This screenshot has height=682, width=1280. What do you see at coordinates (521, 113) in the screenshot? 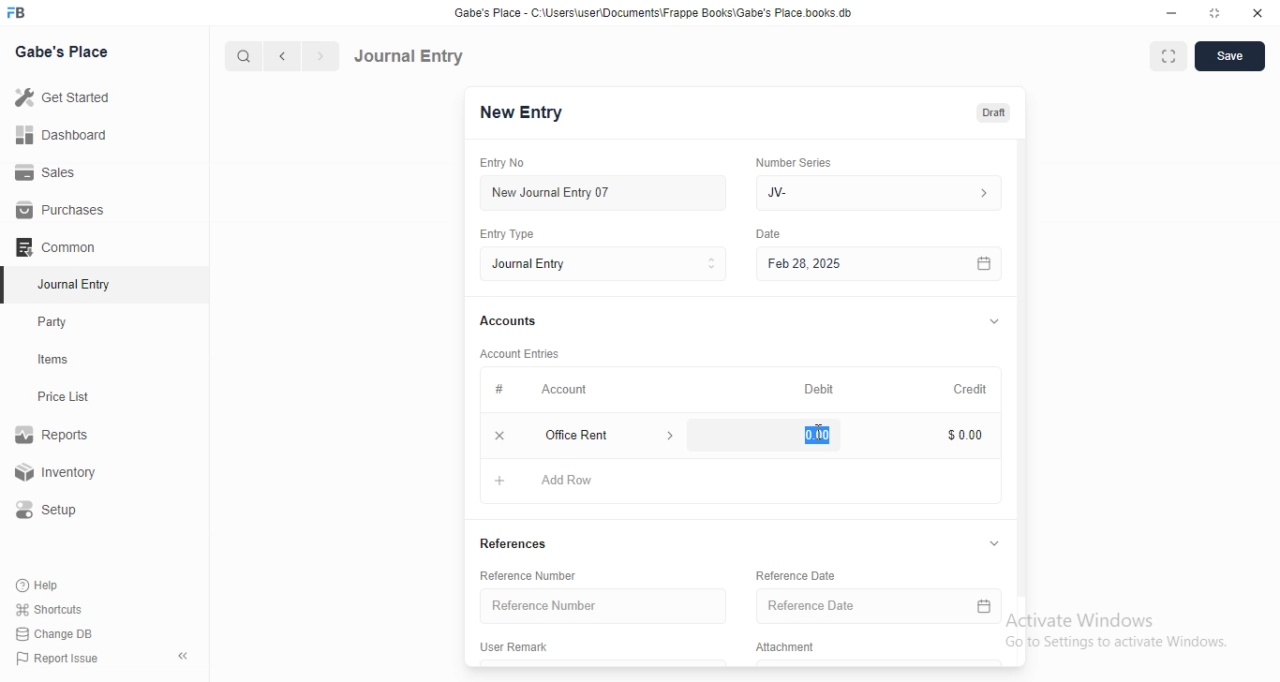
I see `New Entry` at bounding box center [521, 113].